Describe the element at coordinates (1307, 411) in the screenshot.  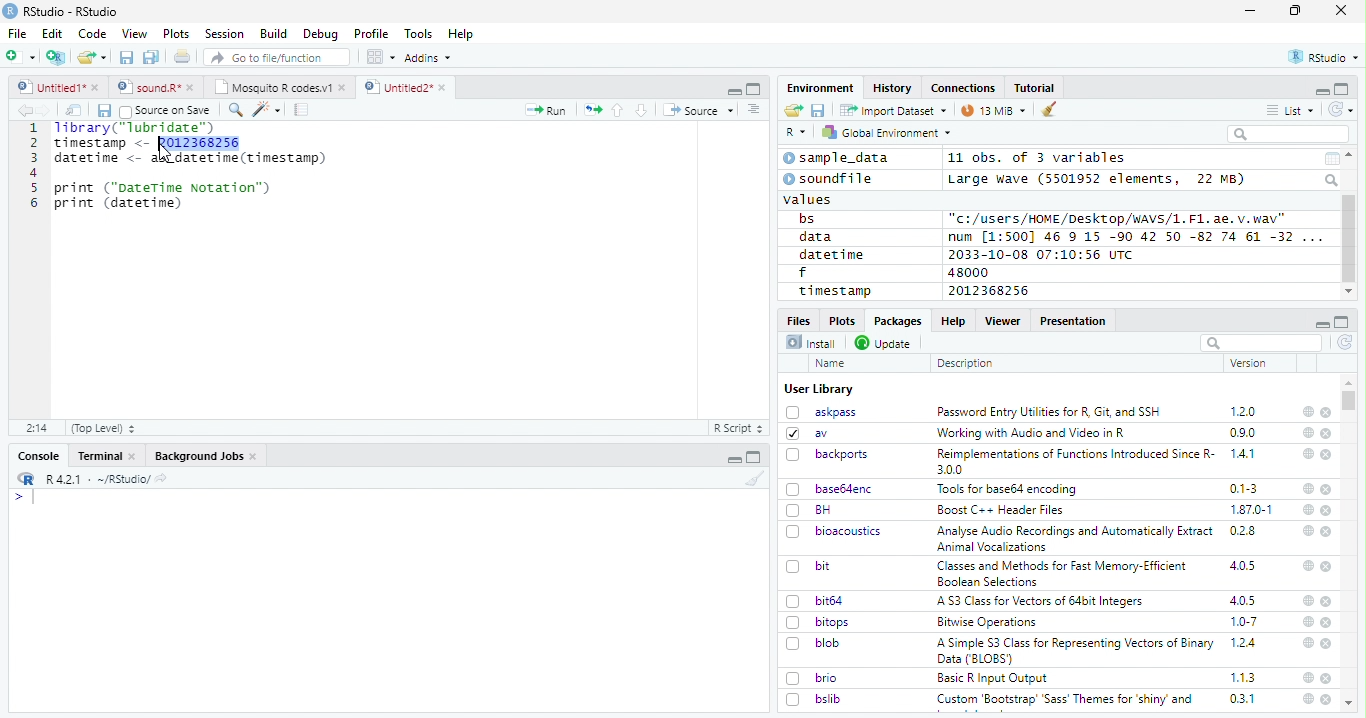
I see `help` at that location.